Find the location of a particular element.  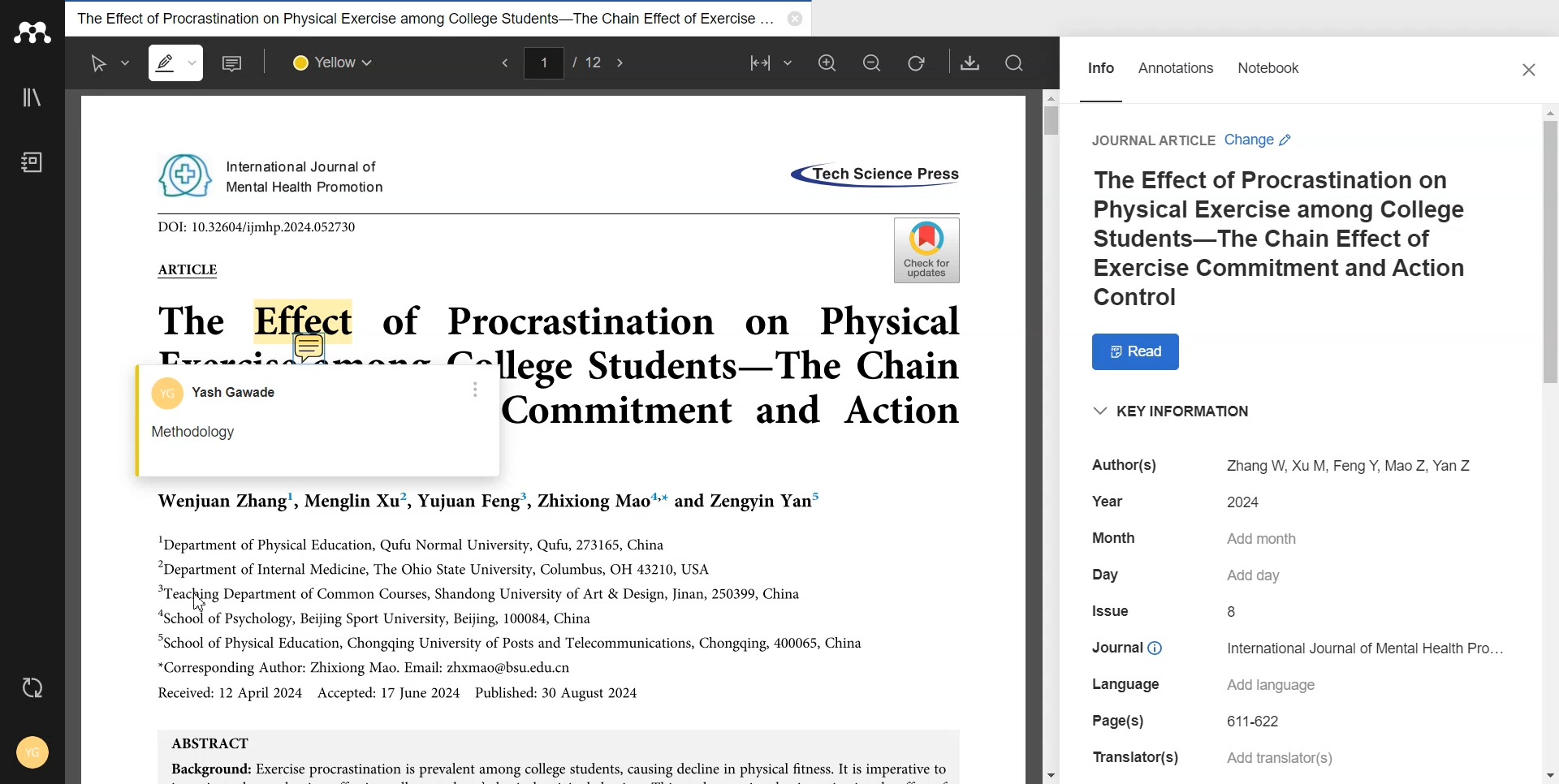

Add note is located at coordinates (310, 351).